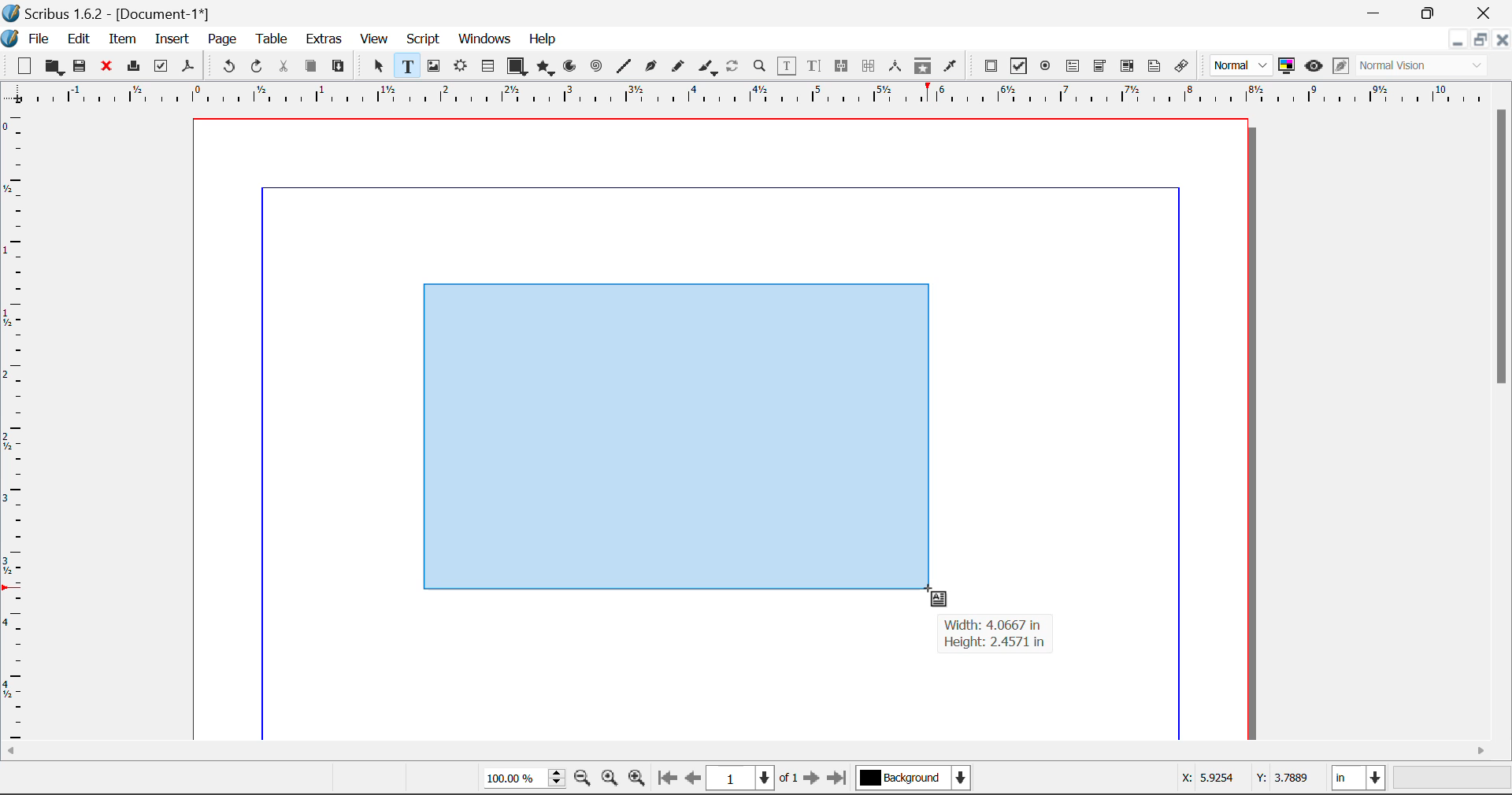  Describe the element at coordinates (761, 65) in the screenshot. I see `Zoom` at that location.